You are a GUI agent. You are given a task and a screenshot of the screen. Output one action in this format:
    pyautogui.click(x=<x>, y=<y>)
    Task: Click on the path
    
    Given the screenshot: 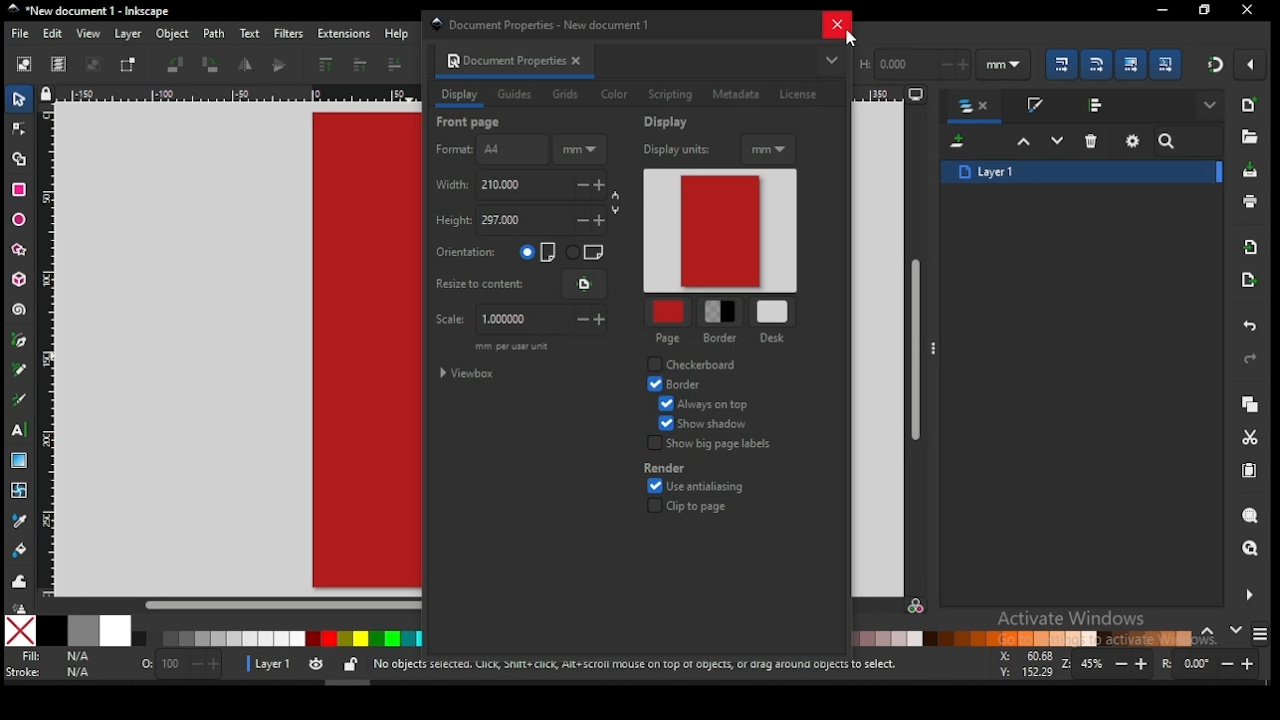 What is the action you would take?
    pyautogui.click(x=214, y=34)
    